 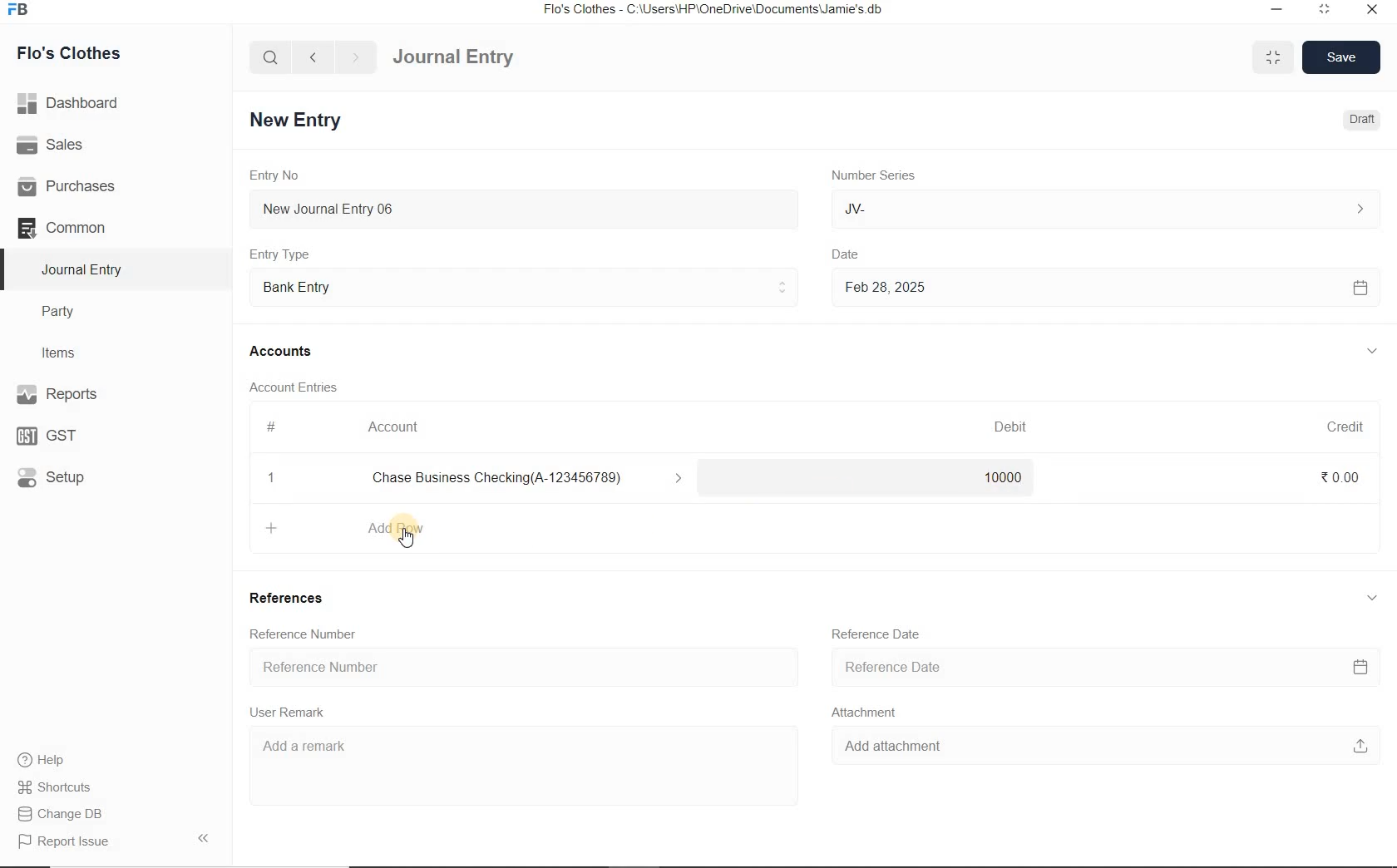 What do you see at coordinates (292, 600) in the screenshot?
I see `References` at bounding box center [292, 600].